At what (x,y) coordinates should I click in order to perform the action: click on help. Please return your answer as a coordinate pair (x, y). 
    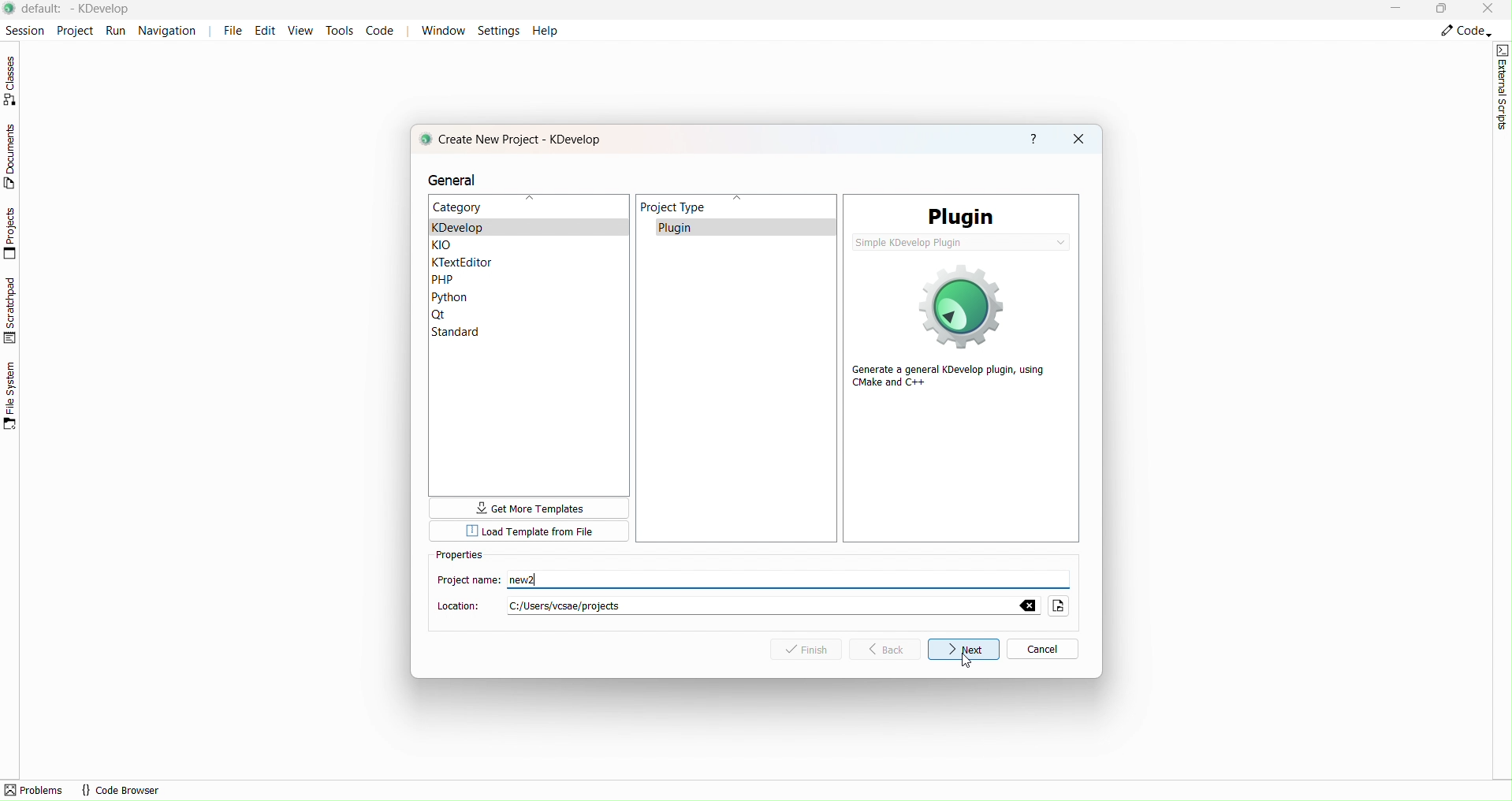
    Looking at the image, I should click on (1033, 140).